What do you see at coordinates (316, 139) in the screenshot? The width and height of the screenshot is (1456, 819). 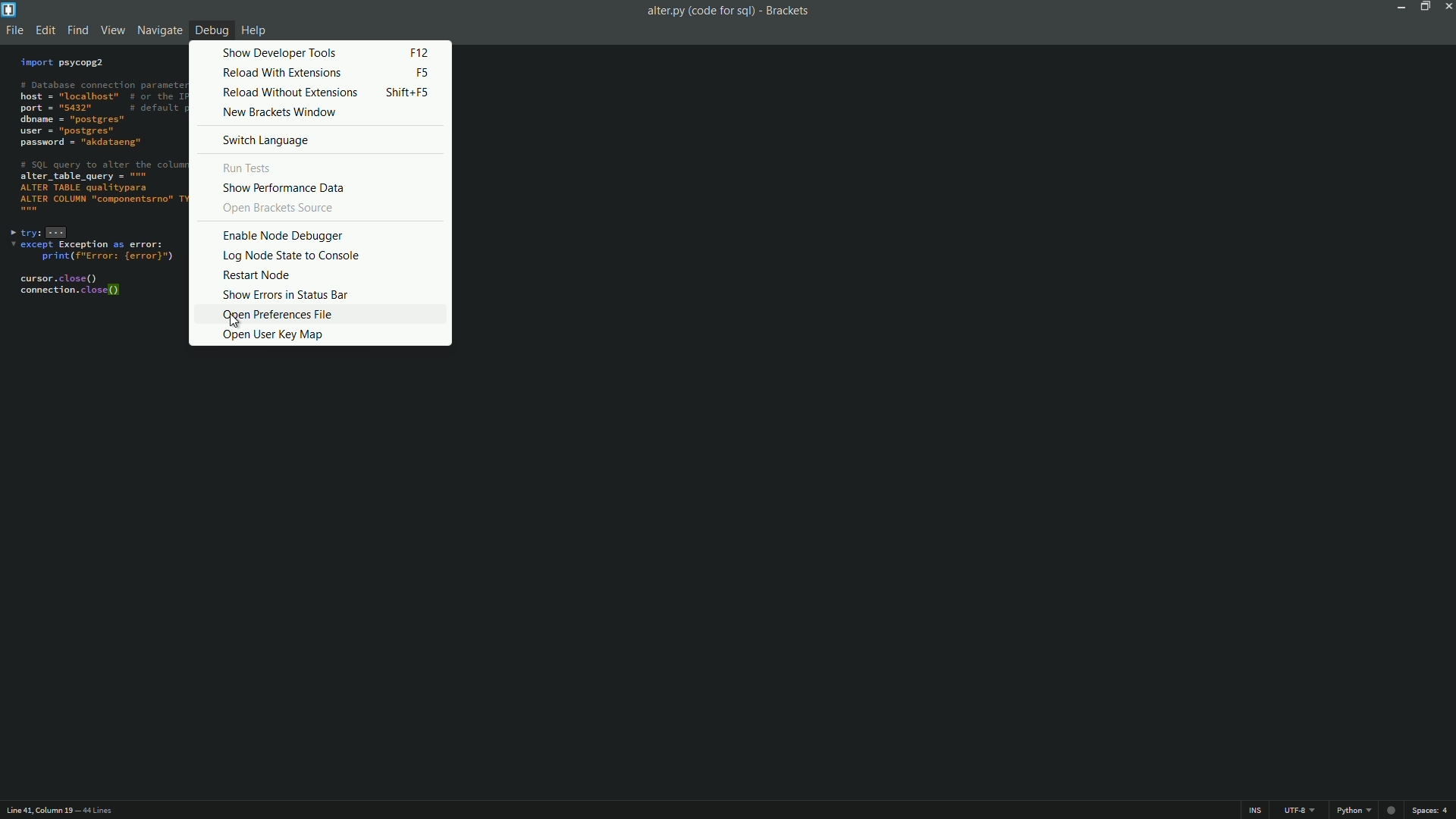 I see `Switch language` at bounding box center [316, 139].